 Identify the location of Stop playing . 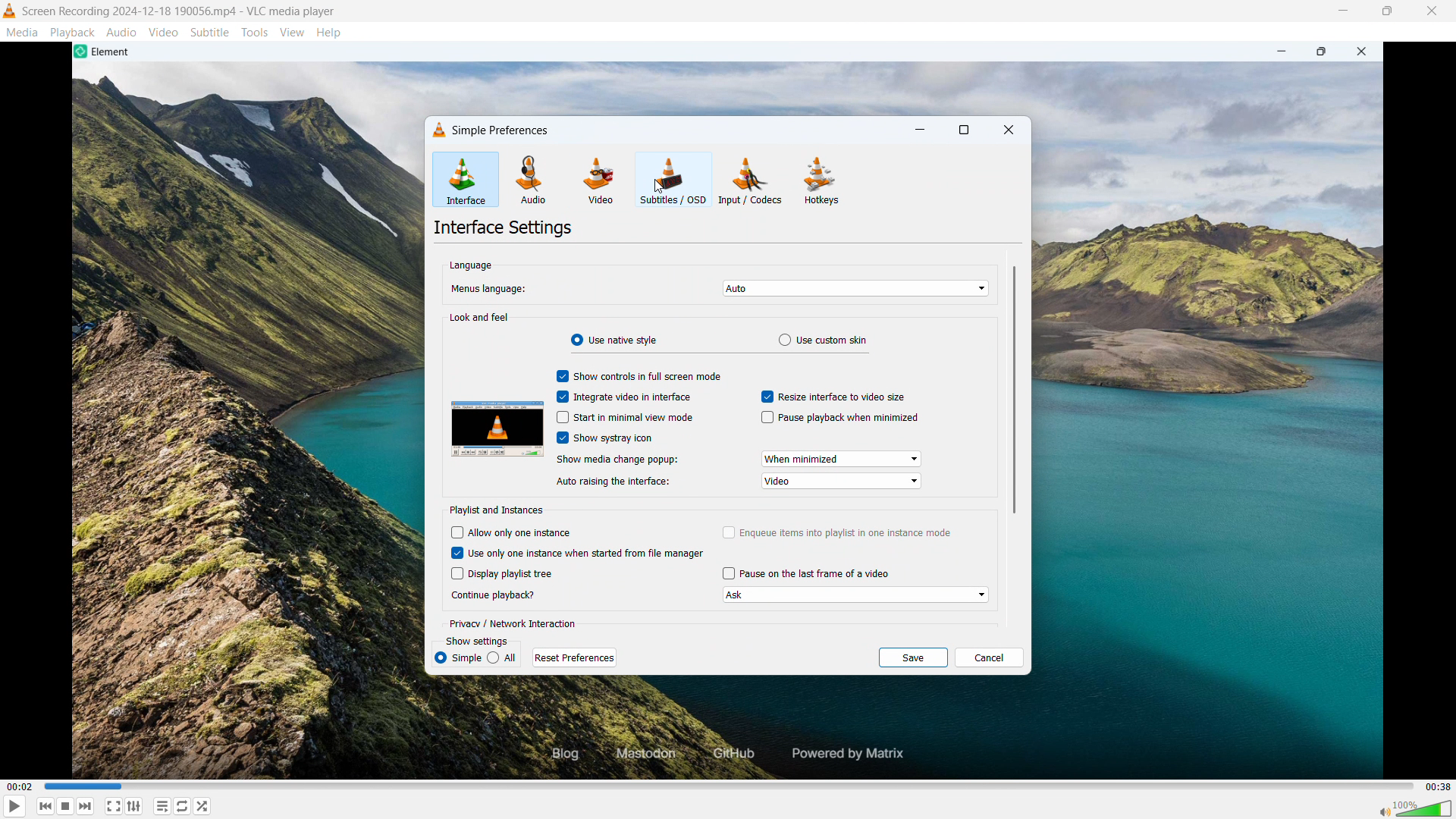
(46, 806).